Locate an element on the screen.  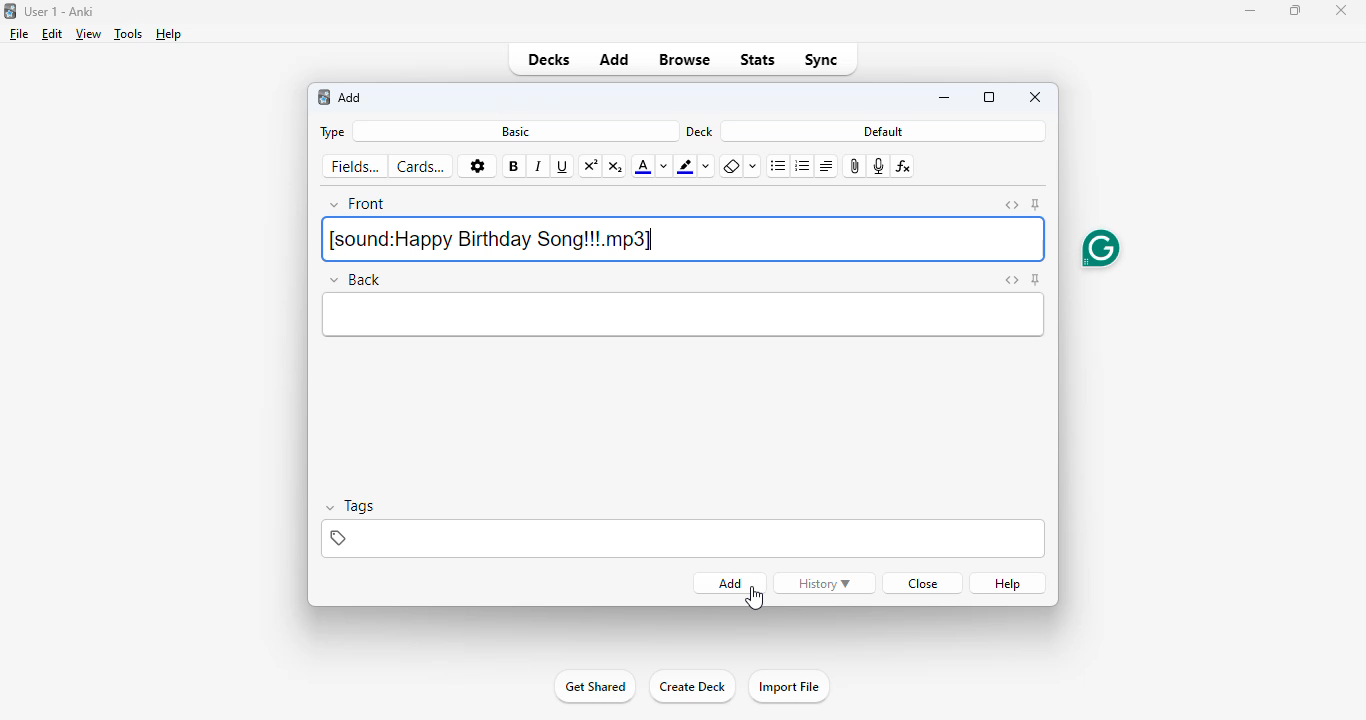
add is located at coordinates (730, 583).